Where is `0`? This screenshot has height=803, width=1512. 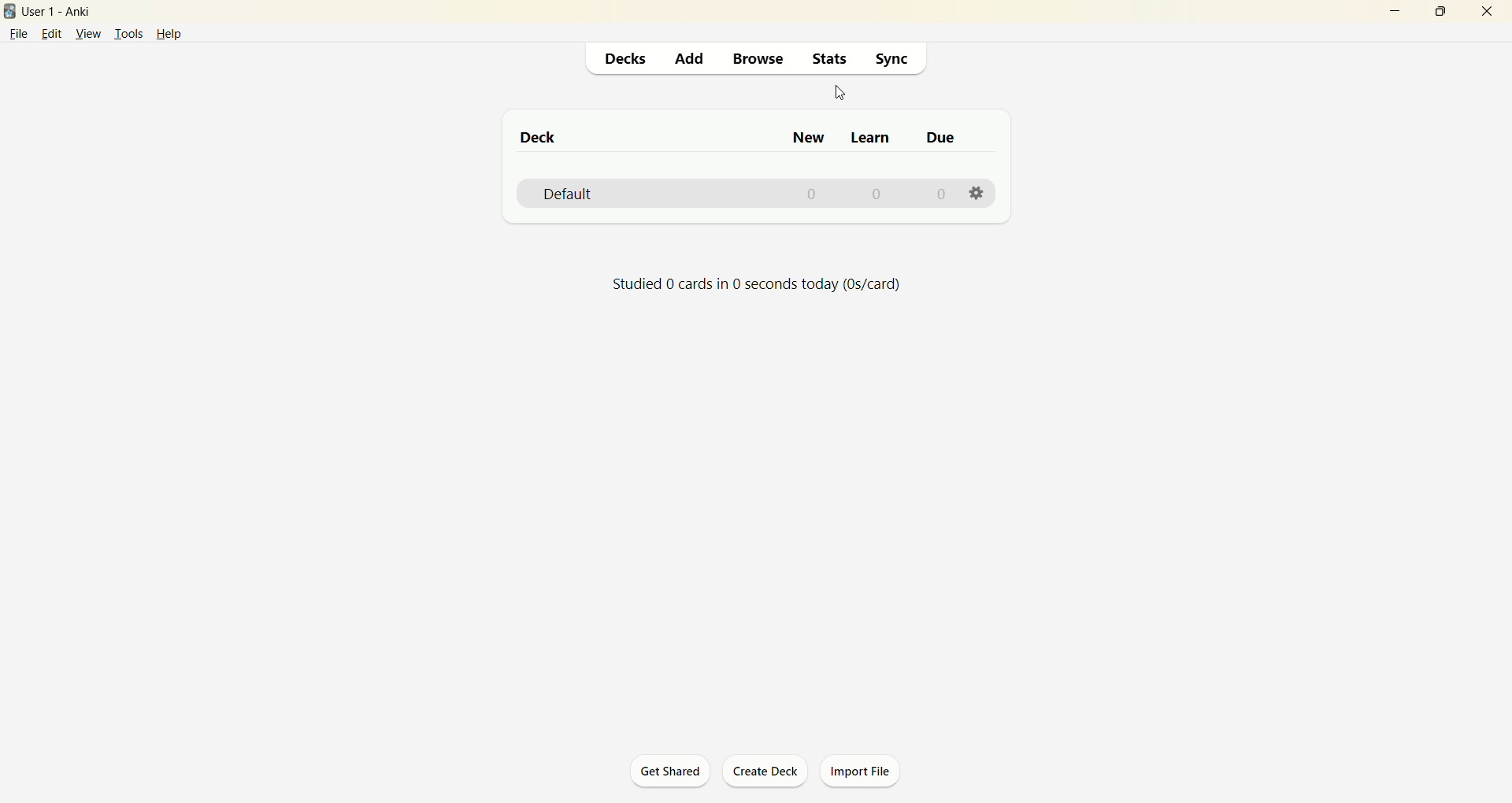
0 is located at coordinates (814, 195).